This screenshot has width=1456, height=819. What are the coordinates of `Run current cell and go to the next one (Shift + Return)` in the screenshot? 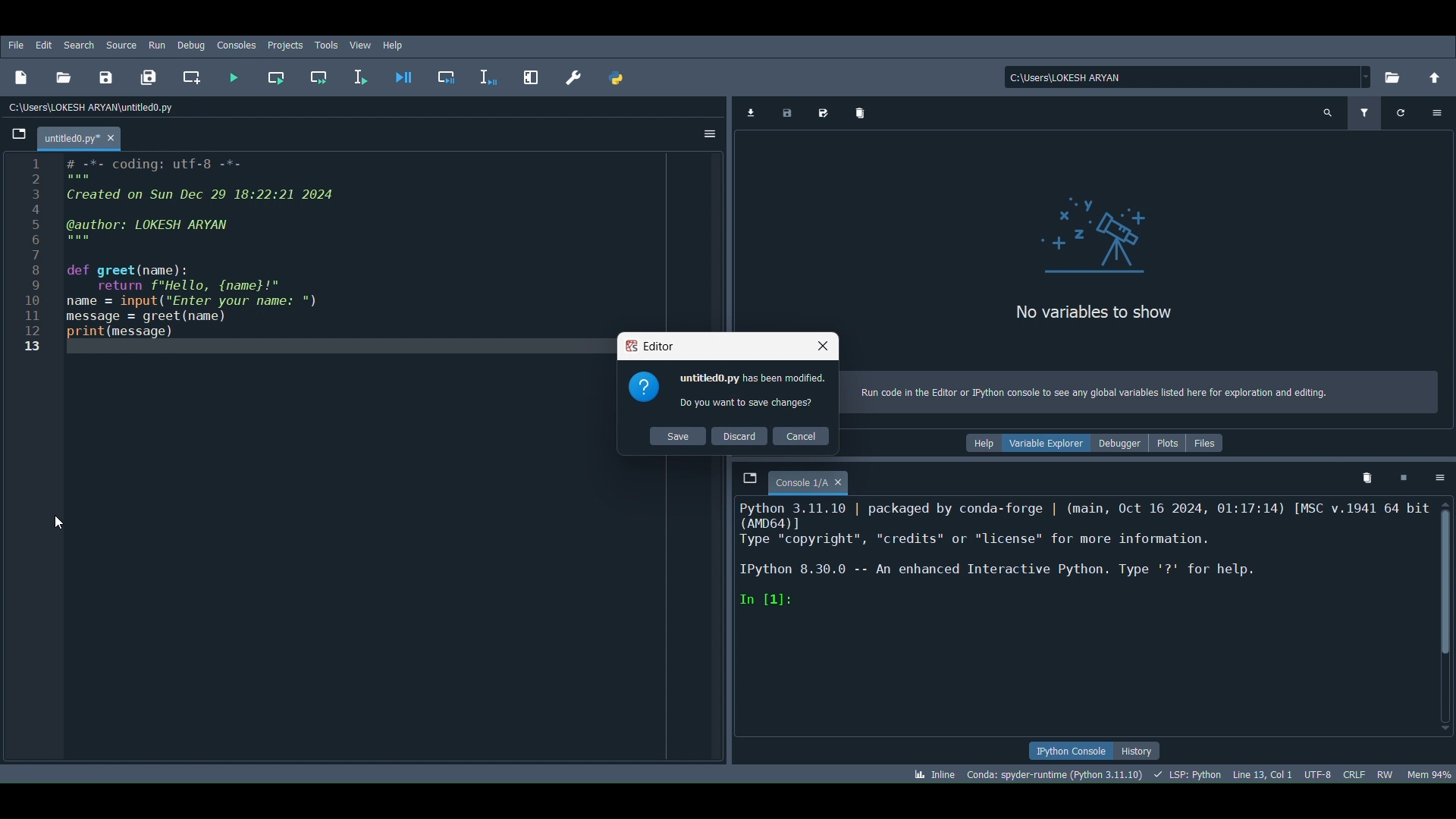 It's located at (323, 77).